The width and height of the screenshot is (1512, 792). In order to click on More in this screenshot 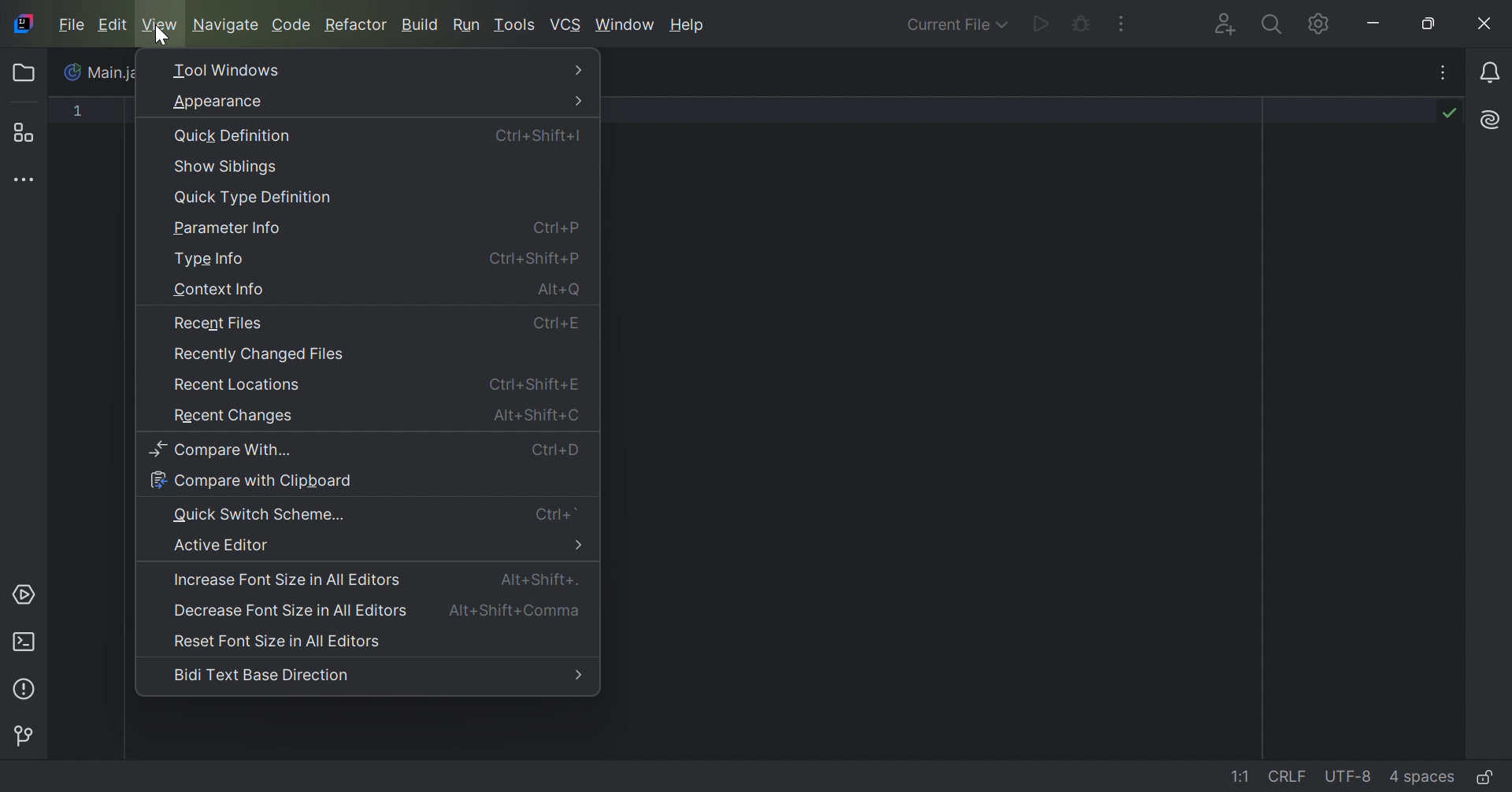, I will do `click(582, 69)`.